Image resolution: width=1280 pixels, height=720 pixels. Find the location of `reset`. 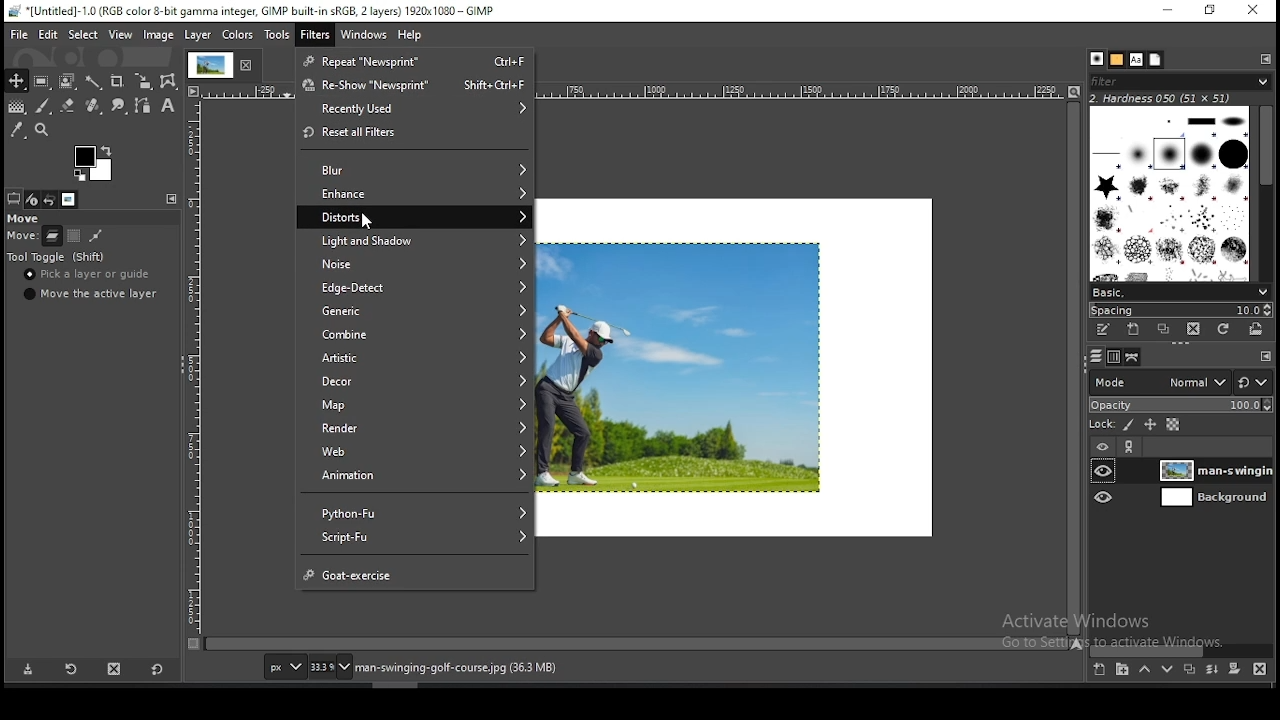

reset is located at coordinates (158, 668).